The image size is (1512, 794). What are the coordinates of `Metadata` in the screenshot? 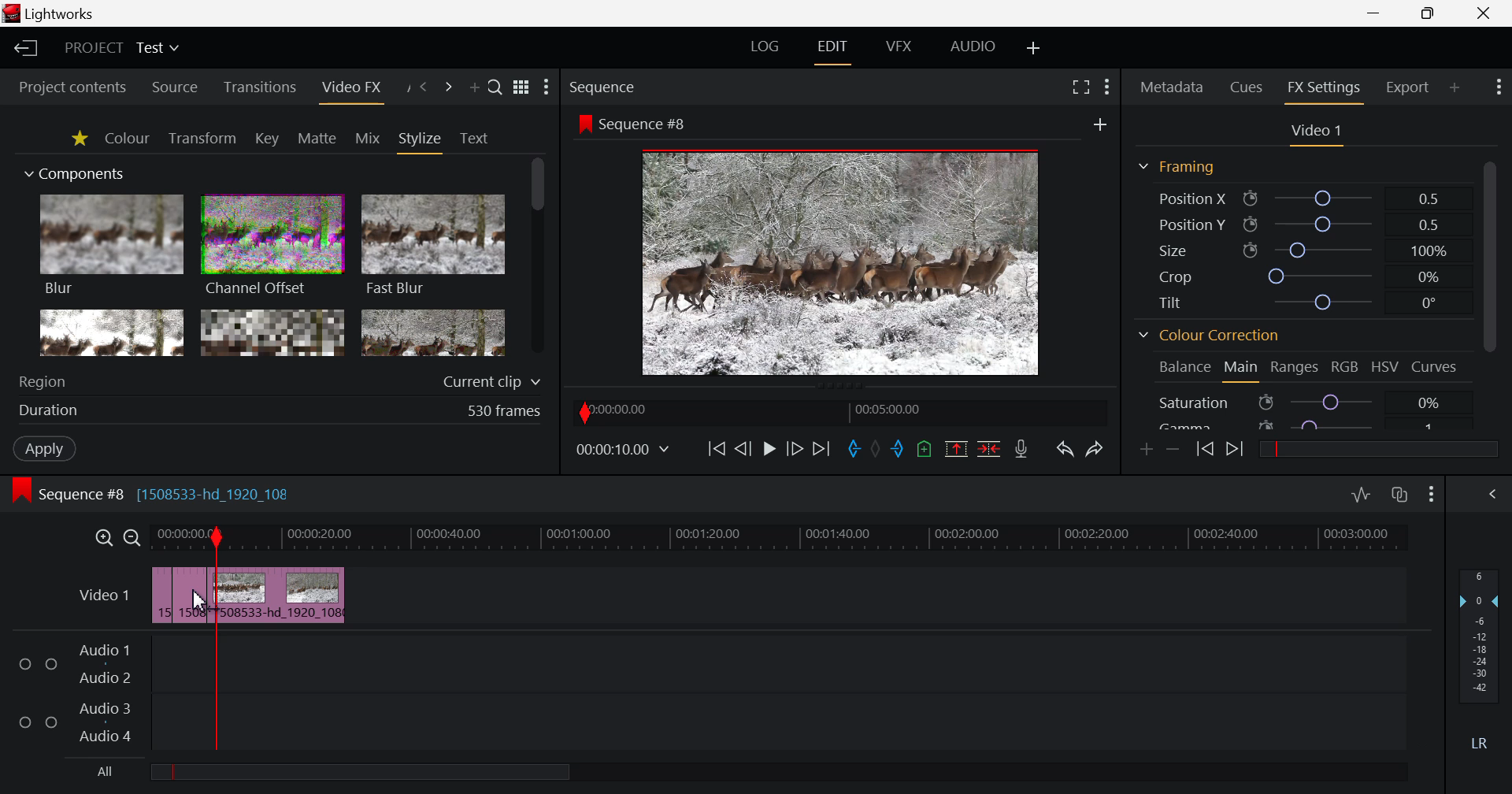 It's located at (1170, 88).